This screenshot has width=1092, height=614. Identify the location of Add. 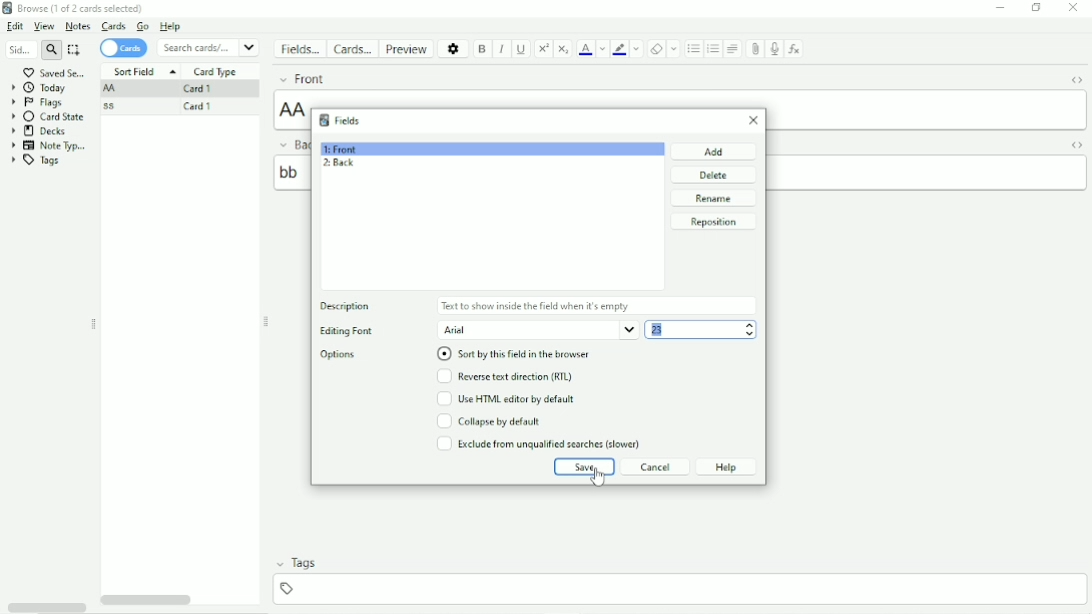
(714, 151).